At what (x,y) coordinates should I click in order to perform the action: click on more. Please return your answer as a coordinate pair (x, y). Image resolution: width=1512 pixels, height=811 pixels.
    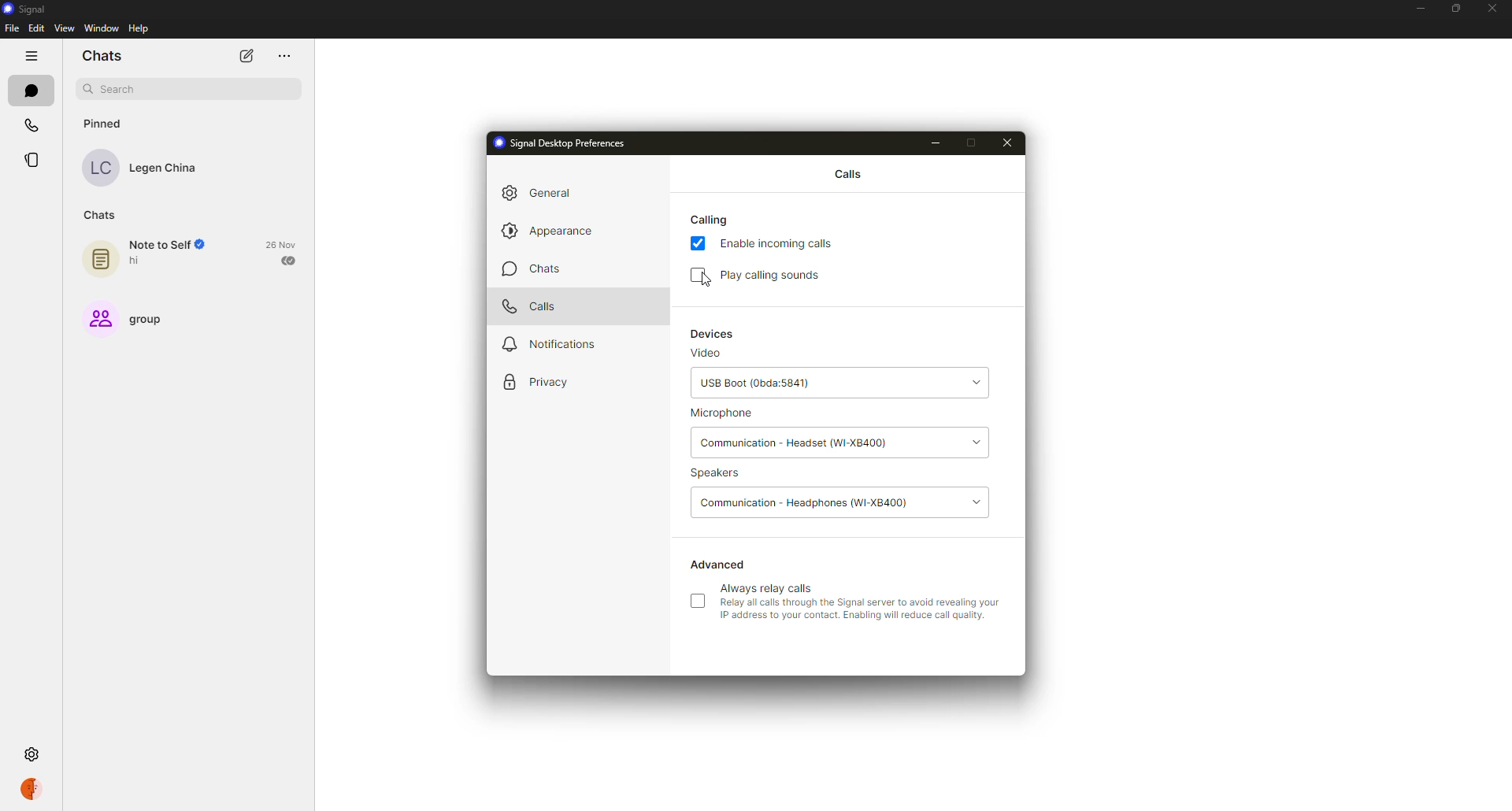
    Looking at the image, I should click on (283, 56).